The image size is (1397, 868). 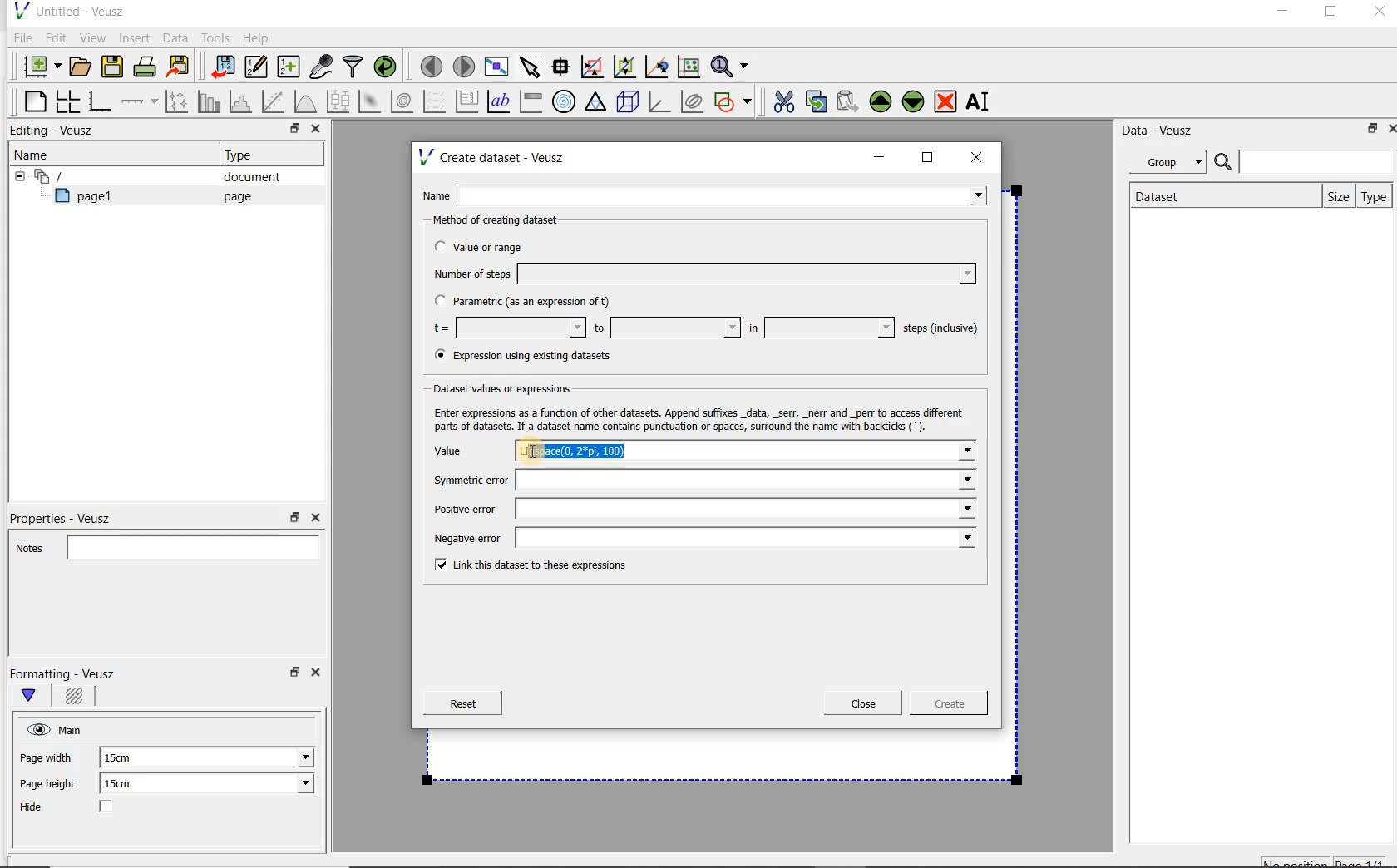 What do you see at coordinates (388, 67) in the screenshot?
I see `reload linked datasets` at bounding box center [388, 67].